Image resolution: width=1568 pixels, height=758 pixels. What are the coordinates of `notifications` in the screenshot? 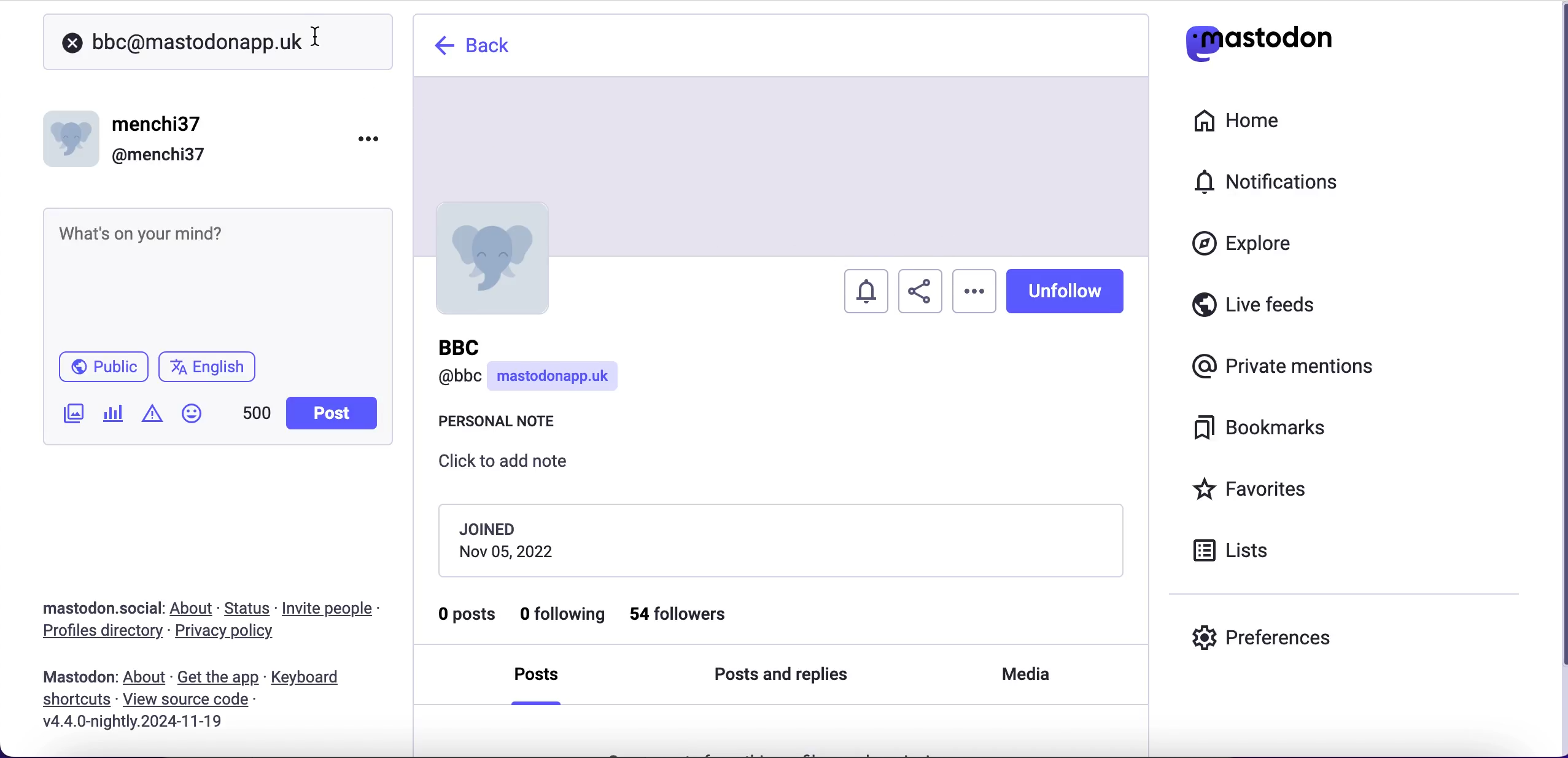 It's located at (1272, 181).